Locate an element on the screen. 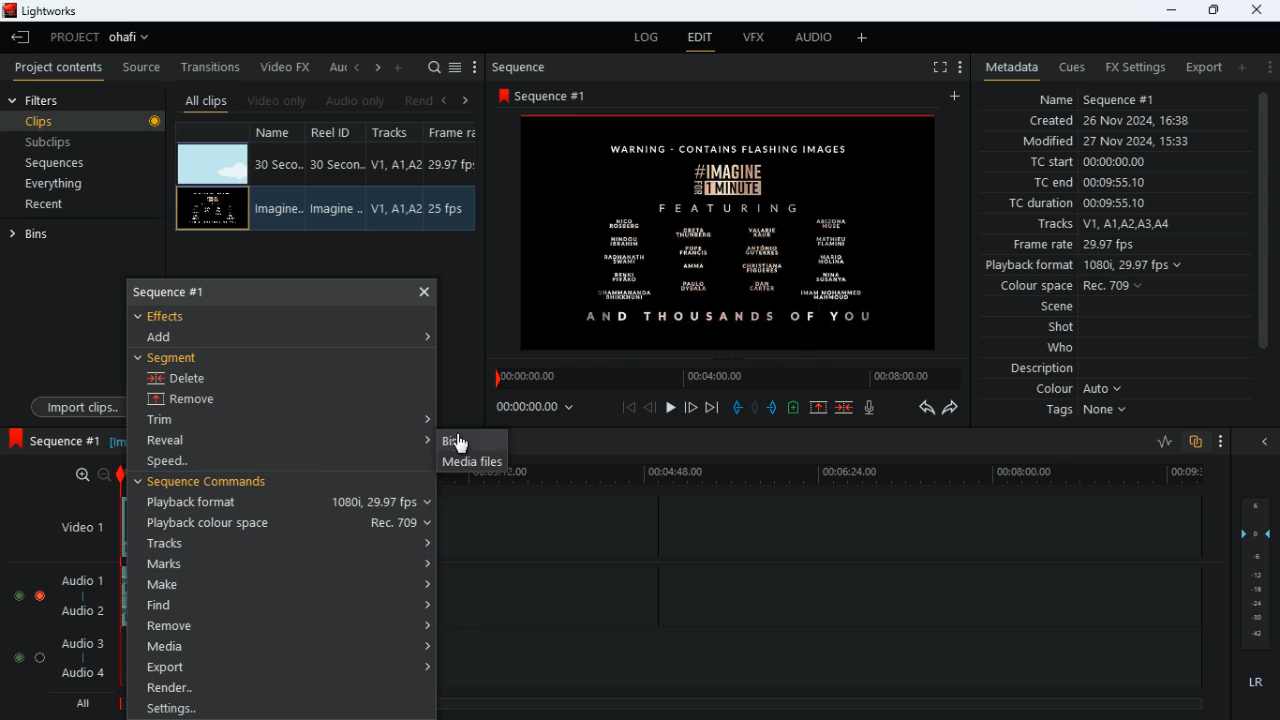 The height and width of the screenshot is (720, 1280). end is located at coordinates (710, 407).